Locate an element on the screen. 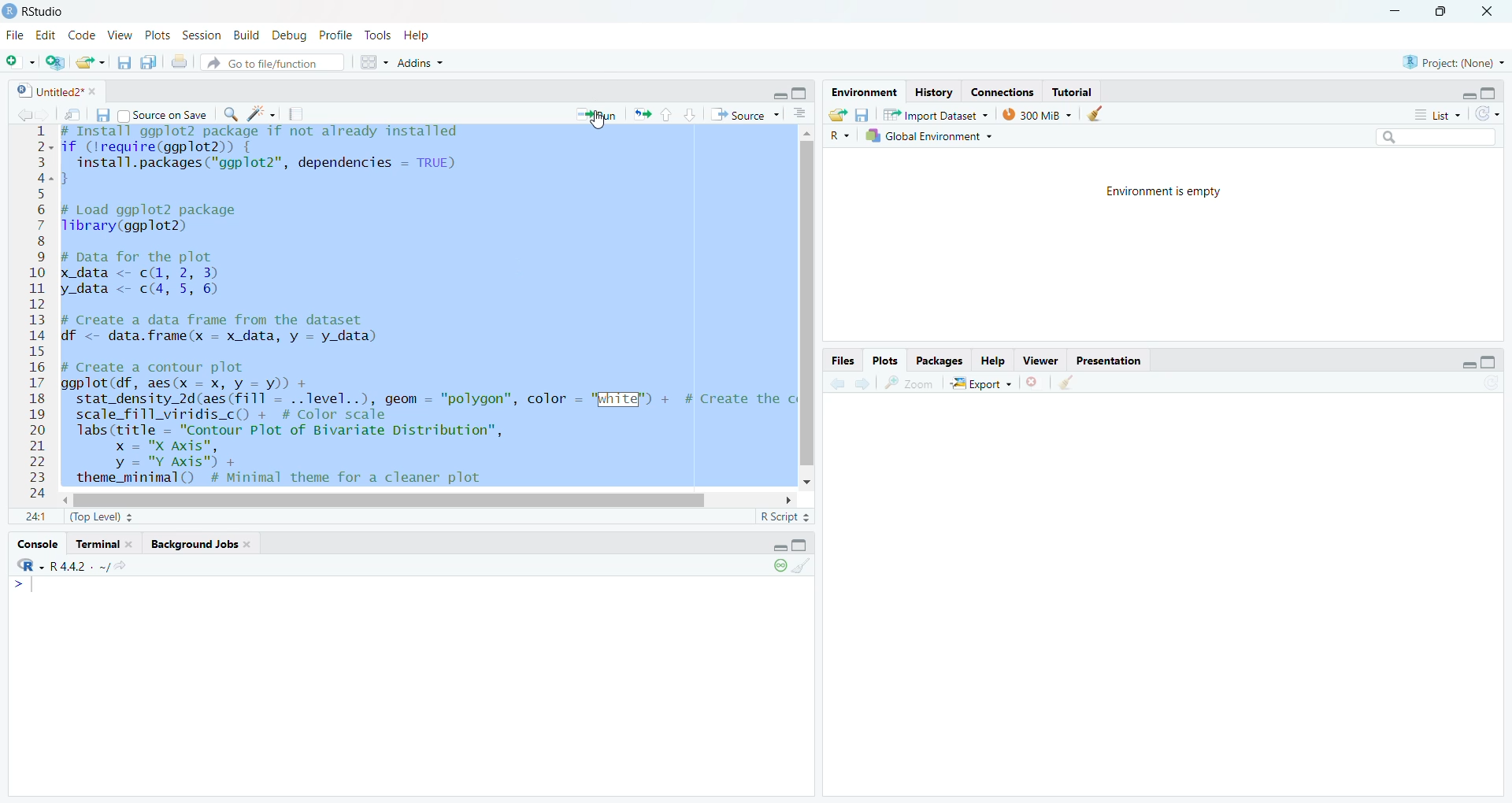 The height and width of the screenshot is (803, 1512). search bar is located at coordinates (1435, 140).